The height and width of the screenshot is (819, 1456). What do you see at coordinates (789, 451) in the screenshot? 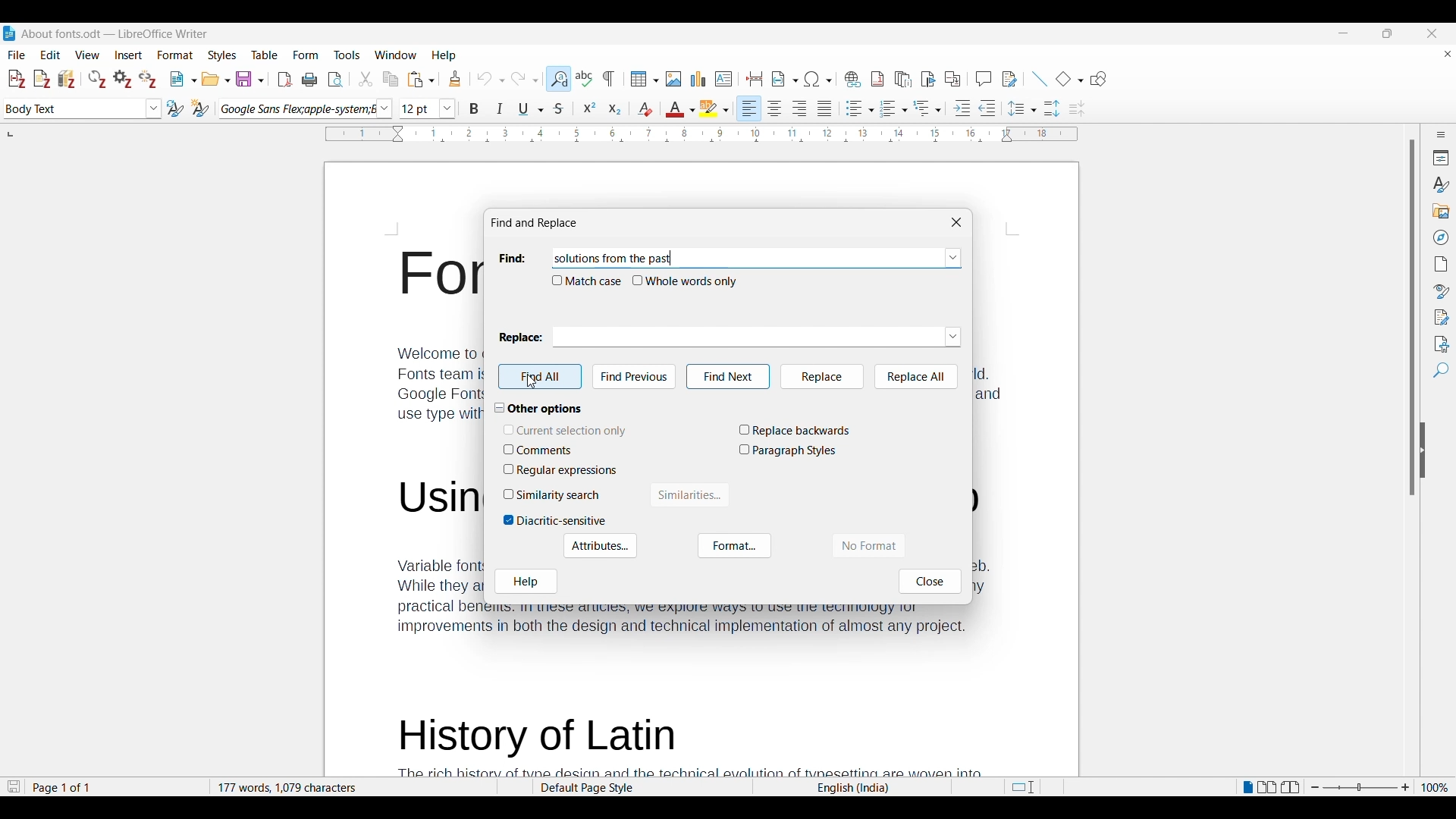
I see `Toggle for Paragraph Styles` at bounding box center [789, 451].